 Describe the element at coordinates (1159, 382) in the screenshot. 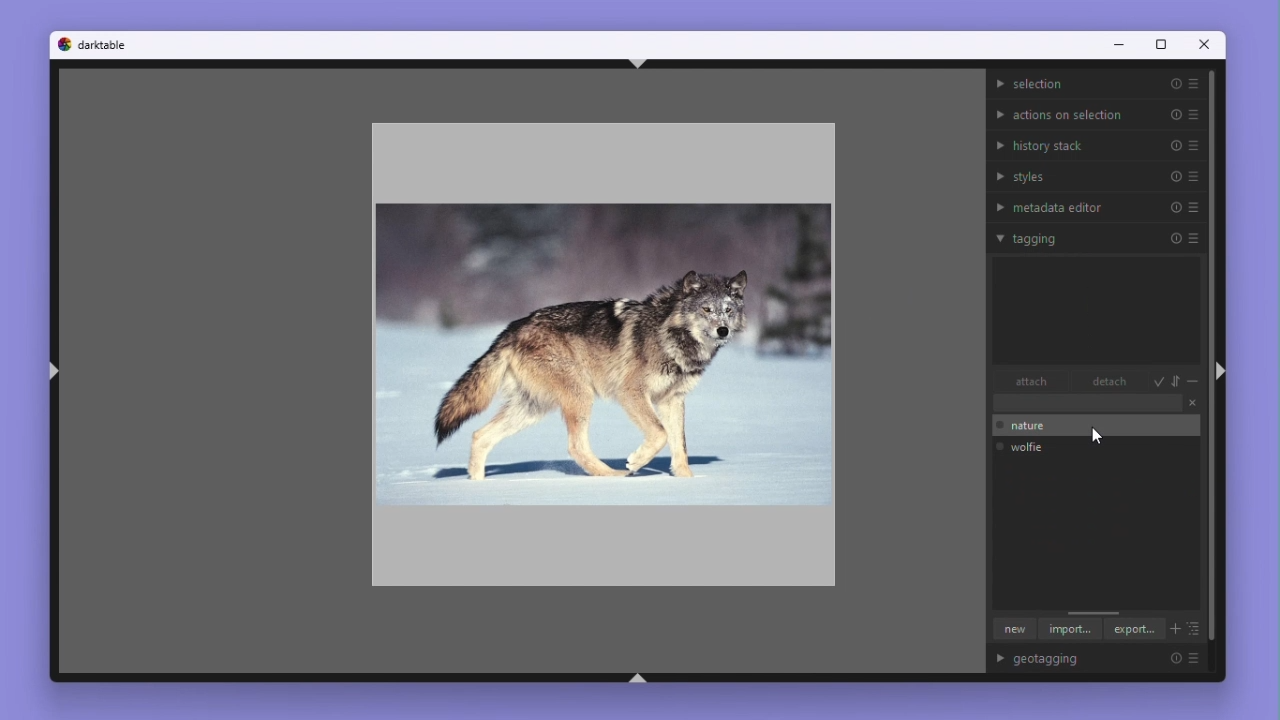

I see `save` at that location.